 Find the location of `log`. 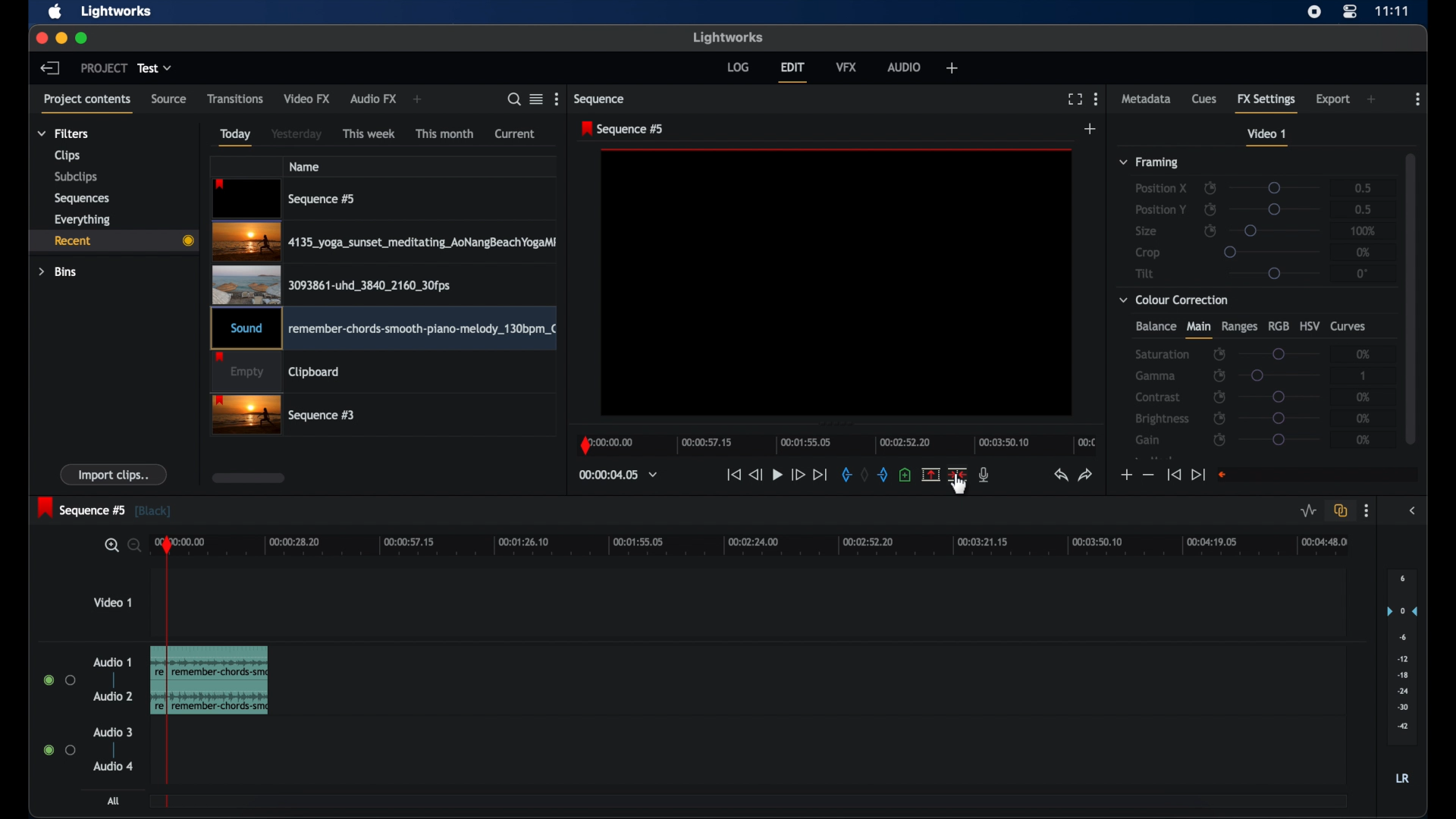

log is located at coordinates (738, 67).